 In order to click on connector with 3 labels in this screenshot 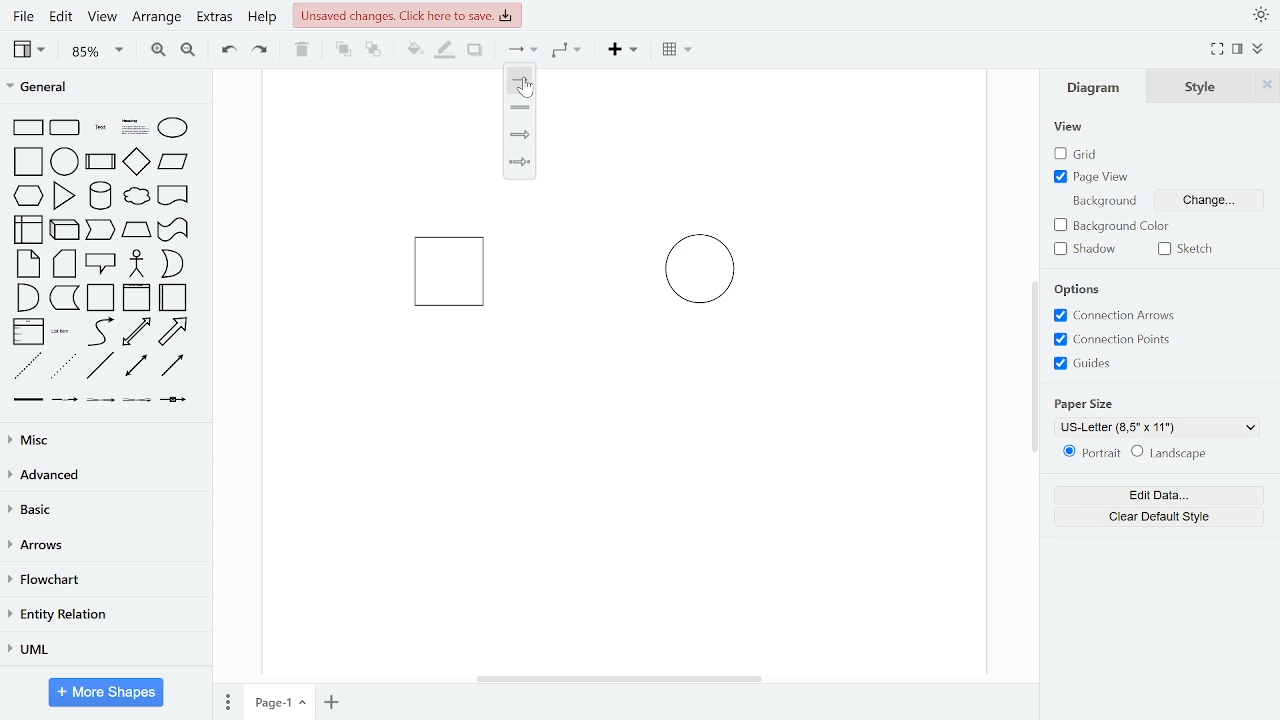, I will do `click(139, 401)`.